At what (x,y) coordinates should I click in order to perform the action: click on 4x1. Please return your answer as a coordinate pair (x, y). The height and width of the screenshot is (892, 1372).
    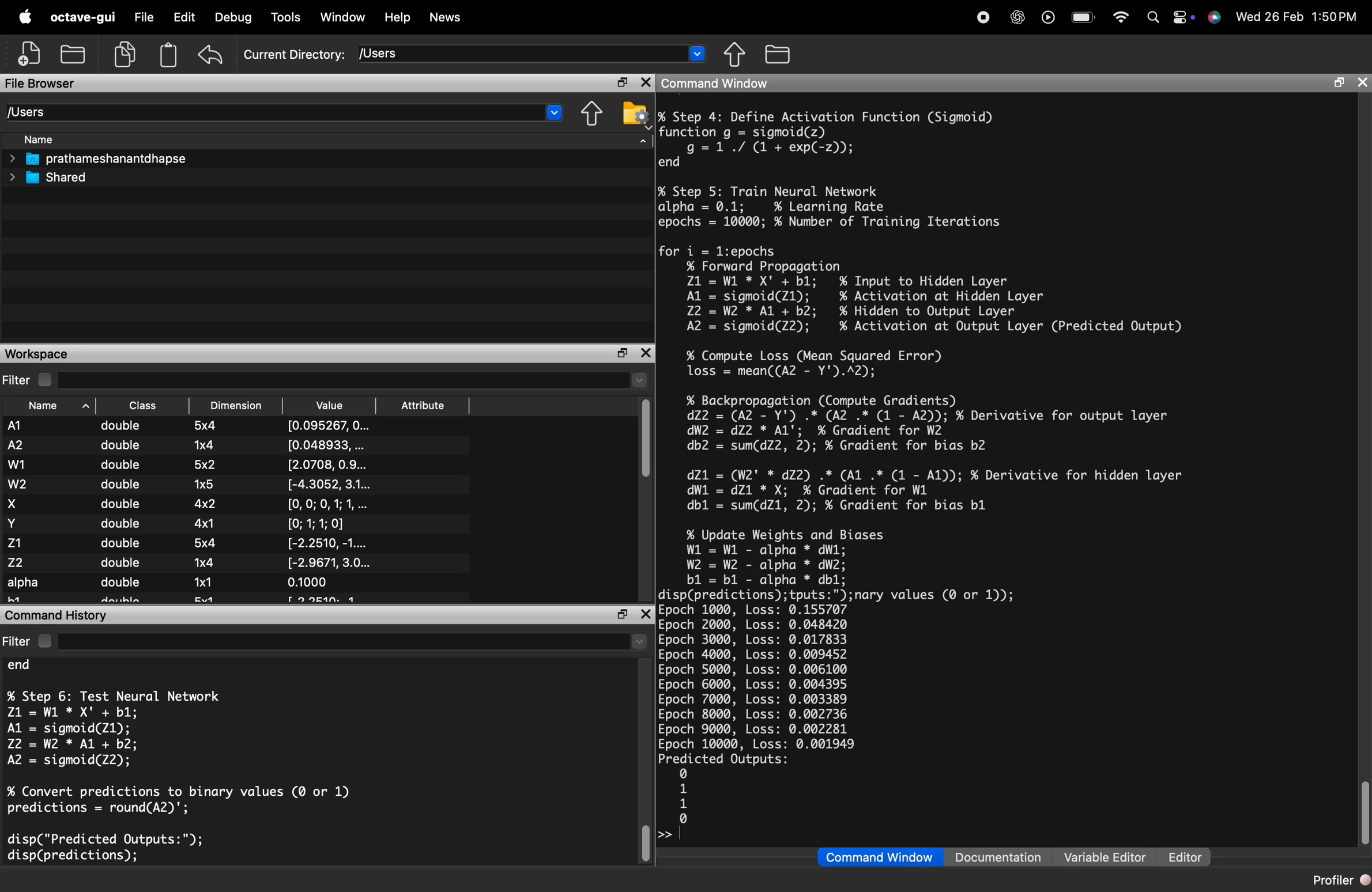
    Looking at the image, I should click on (207, 523).